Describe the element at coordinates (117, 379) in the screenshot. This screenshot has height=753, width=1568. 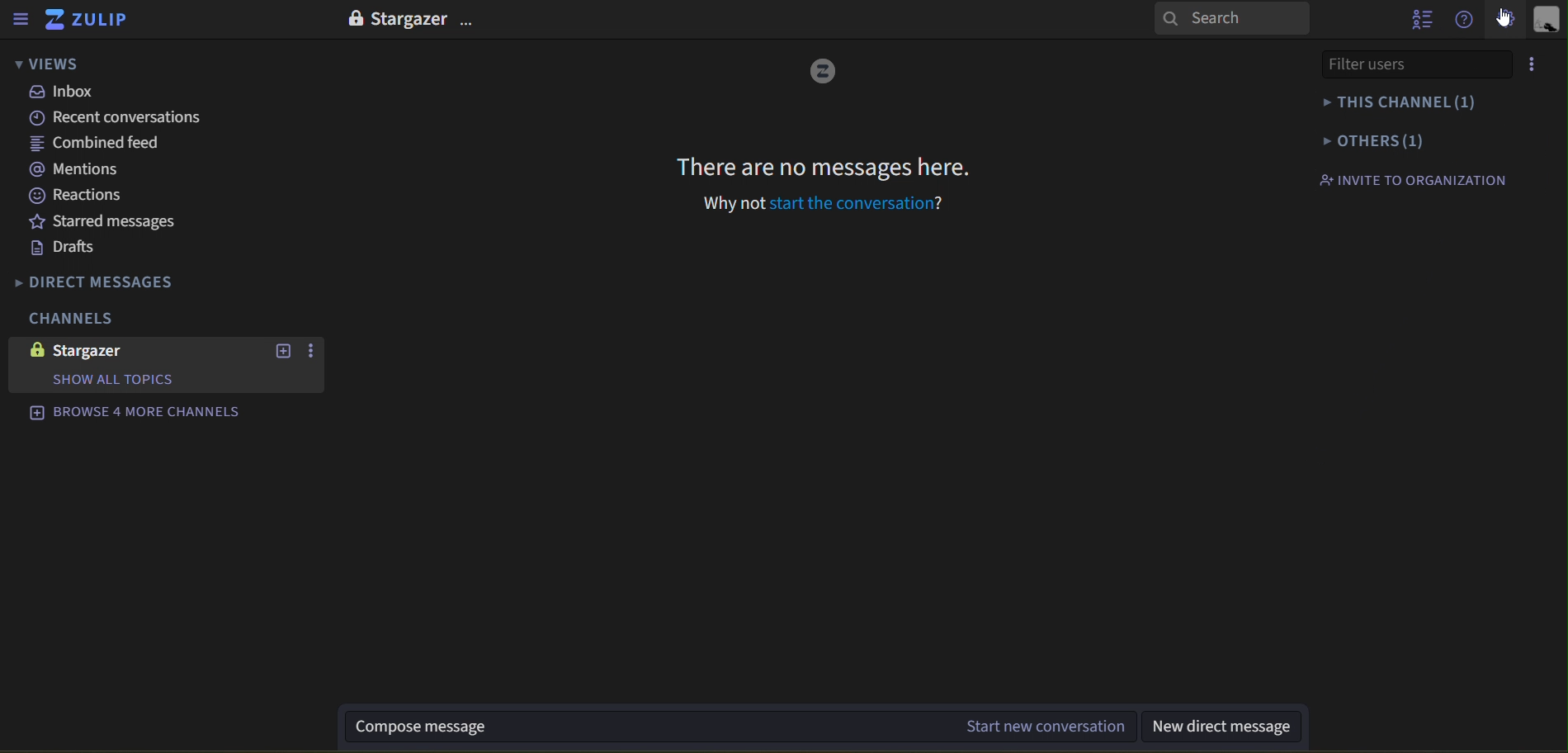
I see `Show all topics` at that location.